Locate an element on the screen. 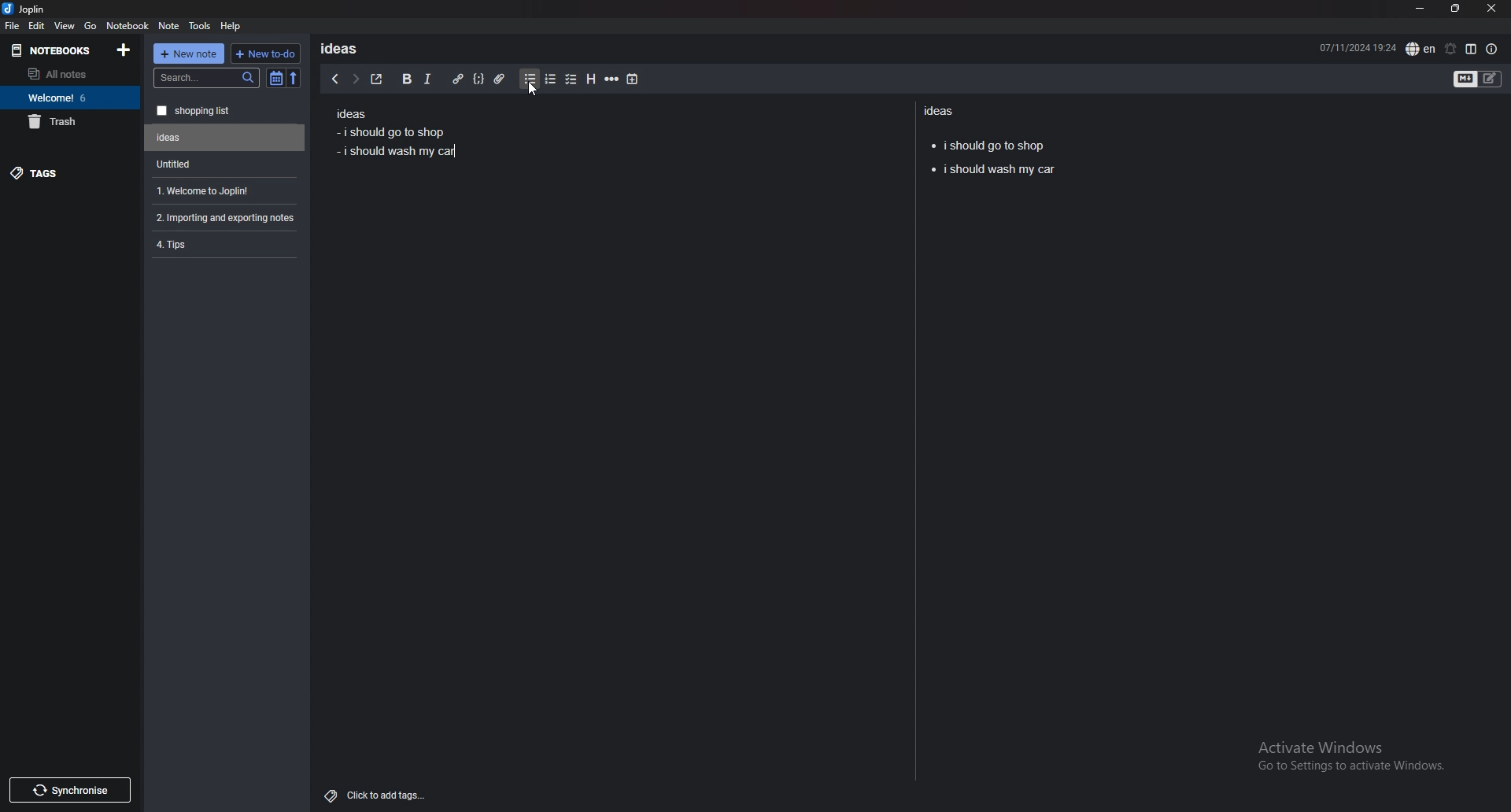 This screenshot has width=1511, height=812. attachment is located at coordinates (500, 79).